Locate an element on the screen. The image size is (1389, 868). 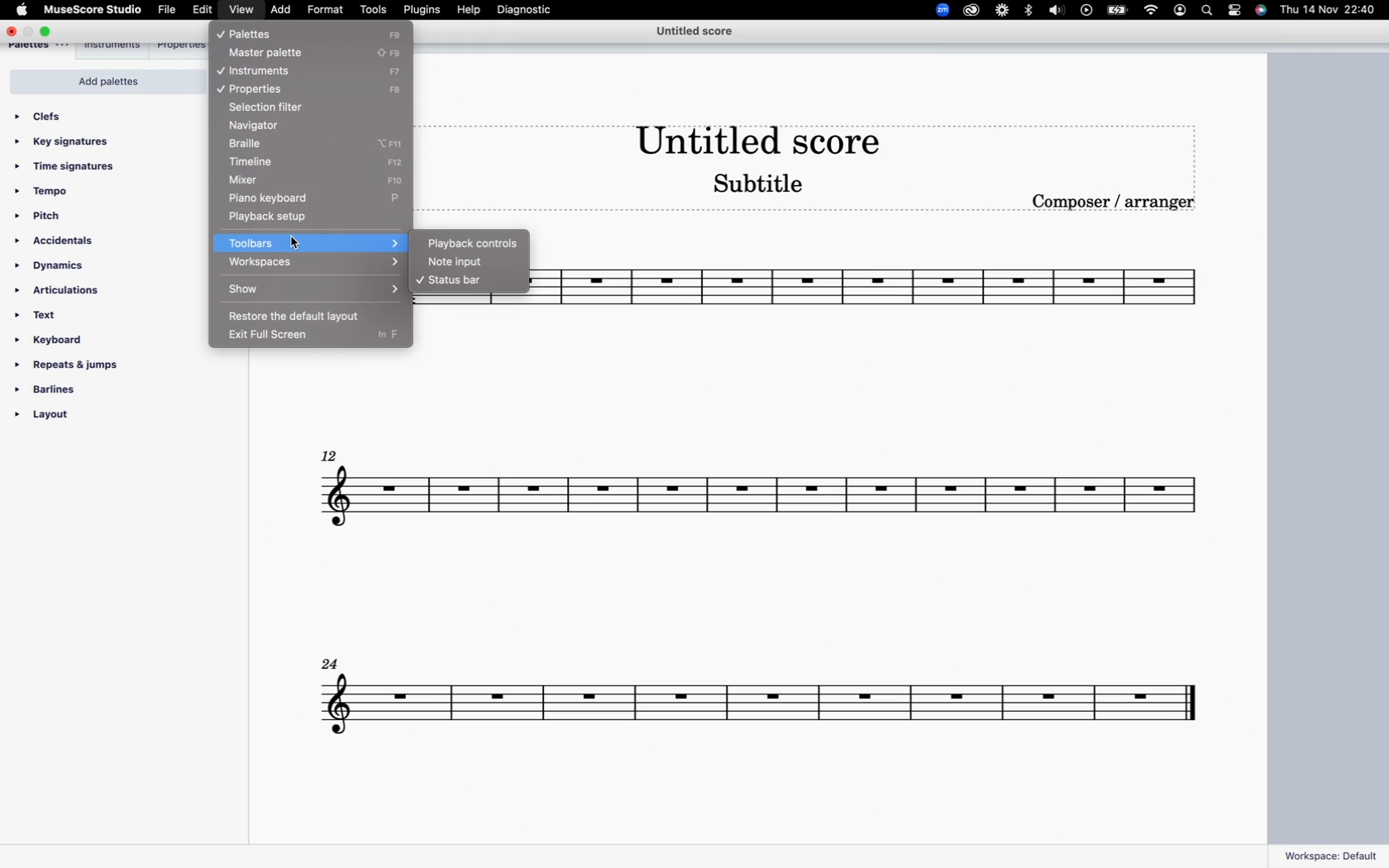
palettes is located at coordinates (267, 32).